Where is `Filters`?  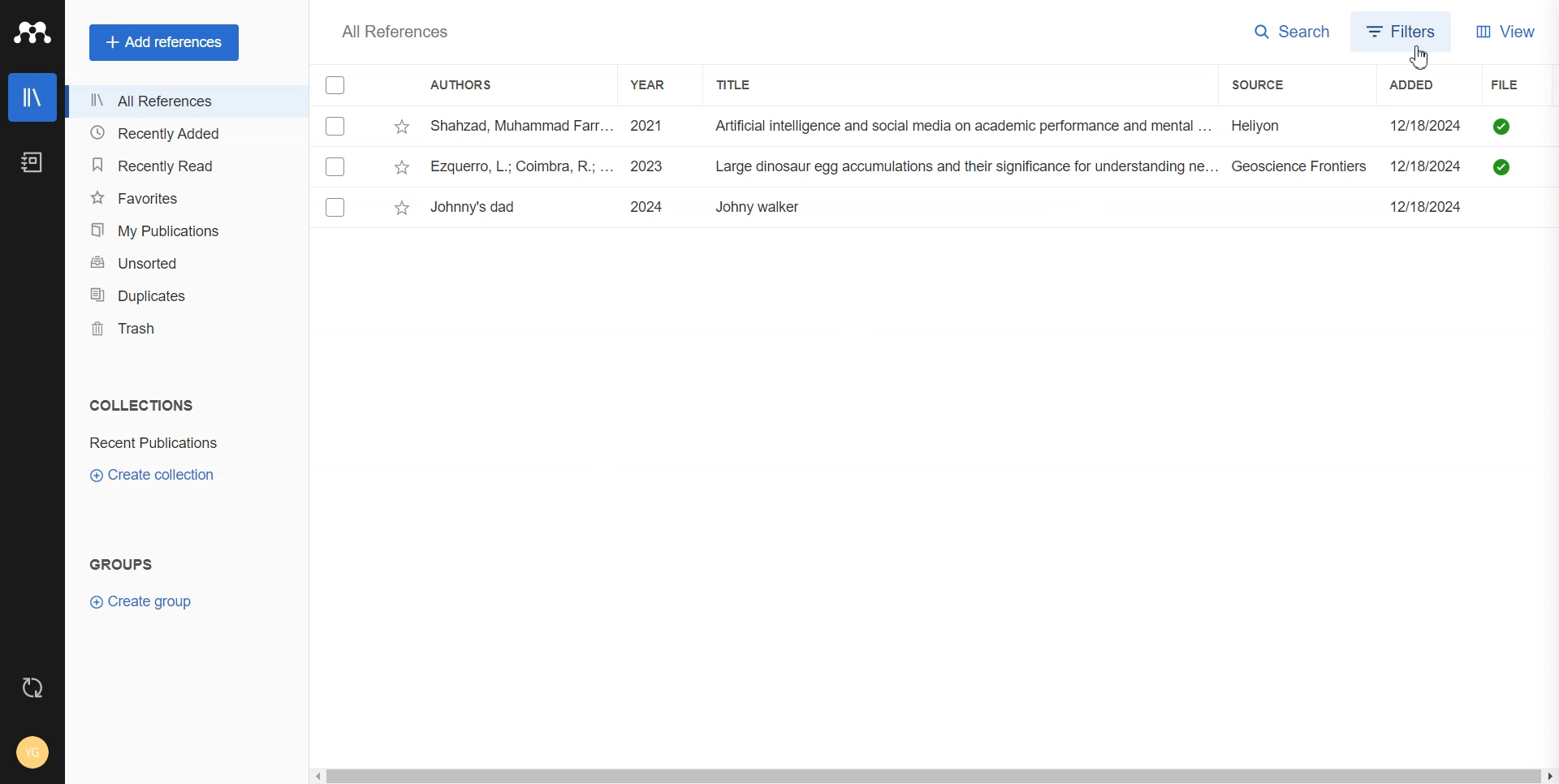 Filters is located at coordinates (1402, 31).